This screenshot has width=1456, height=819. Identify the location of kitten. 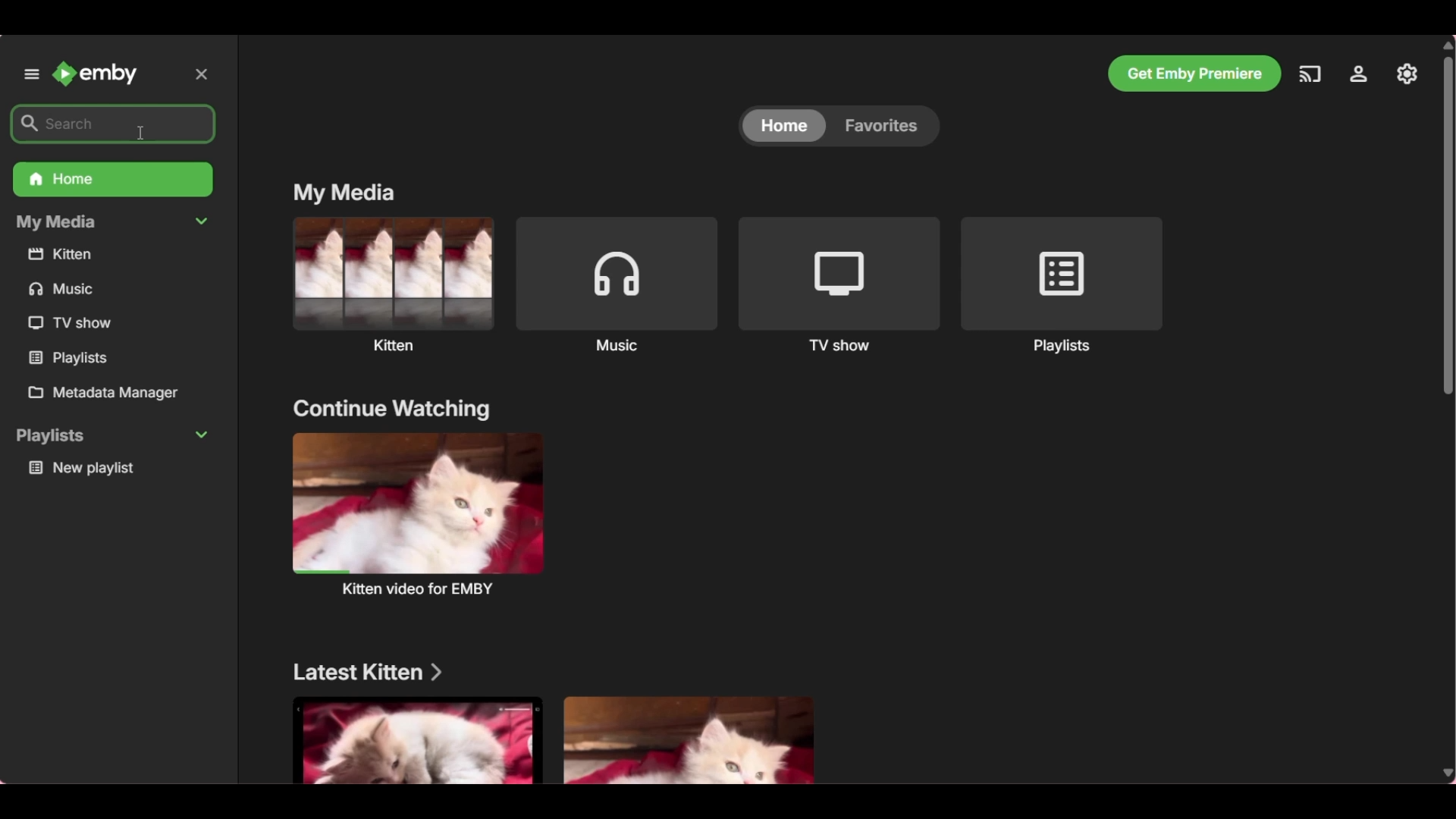
(103, 254).